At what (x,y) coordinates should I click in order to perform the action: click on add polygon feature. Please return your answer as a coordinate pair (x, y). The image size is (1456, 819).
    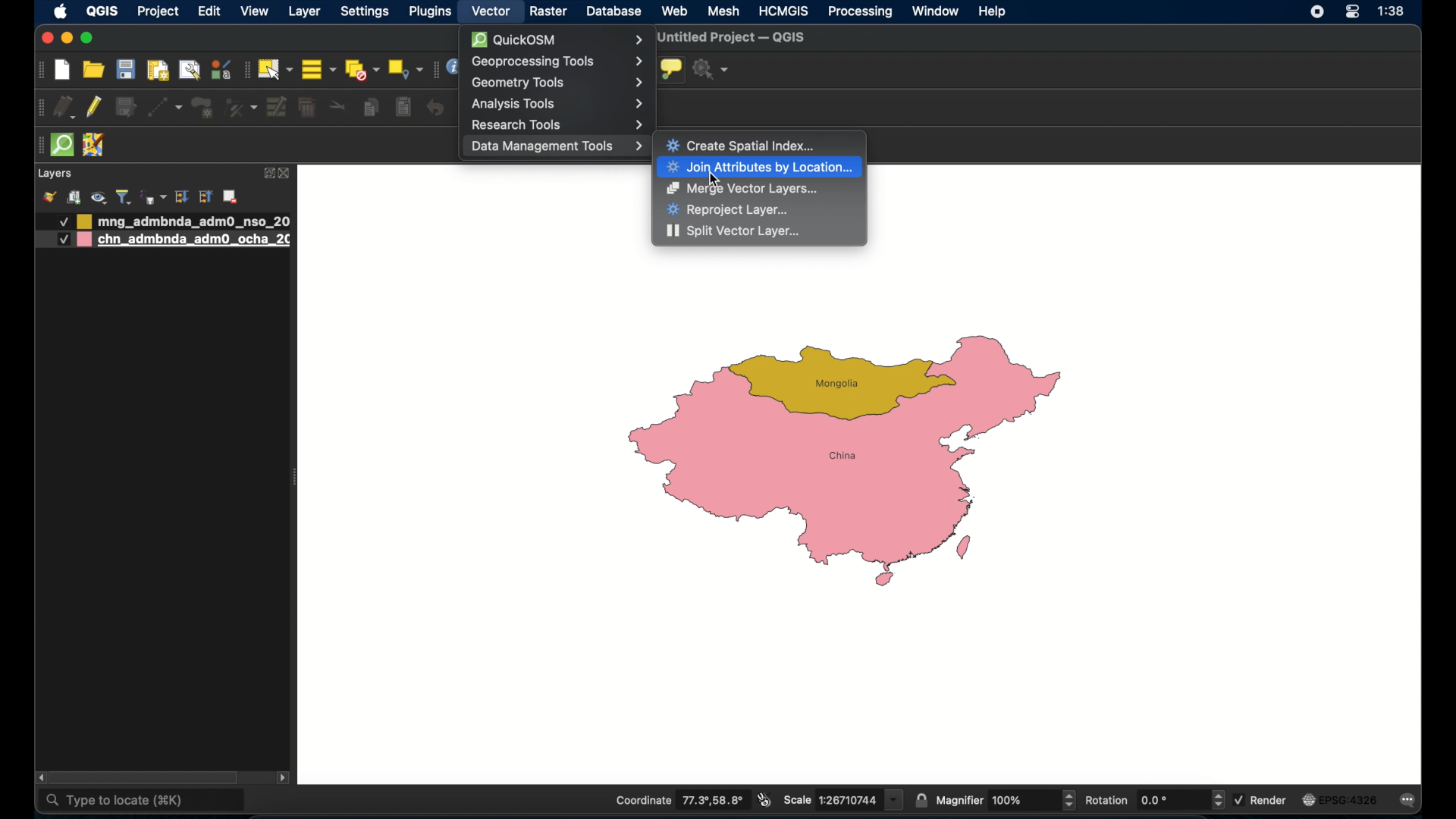
    Looking at the image, I should click on (202, 107).